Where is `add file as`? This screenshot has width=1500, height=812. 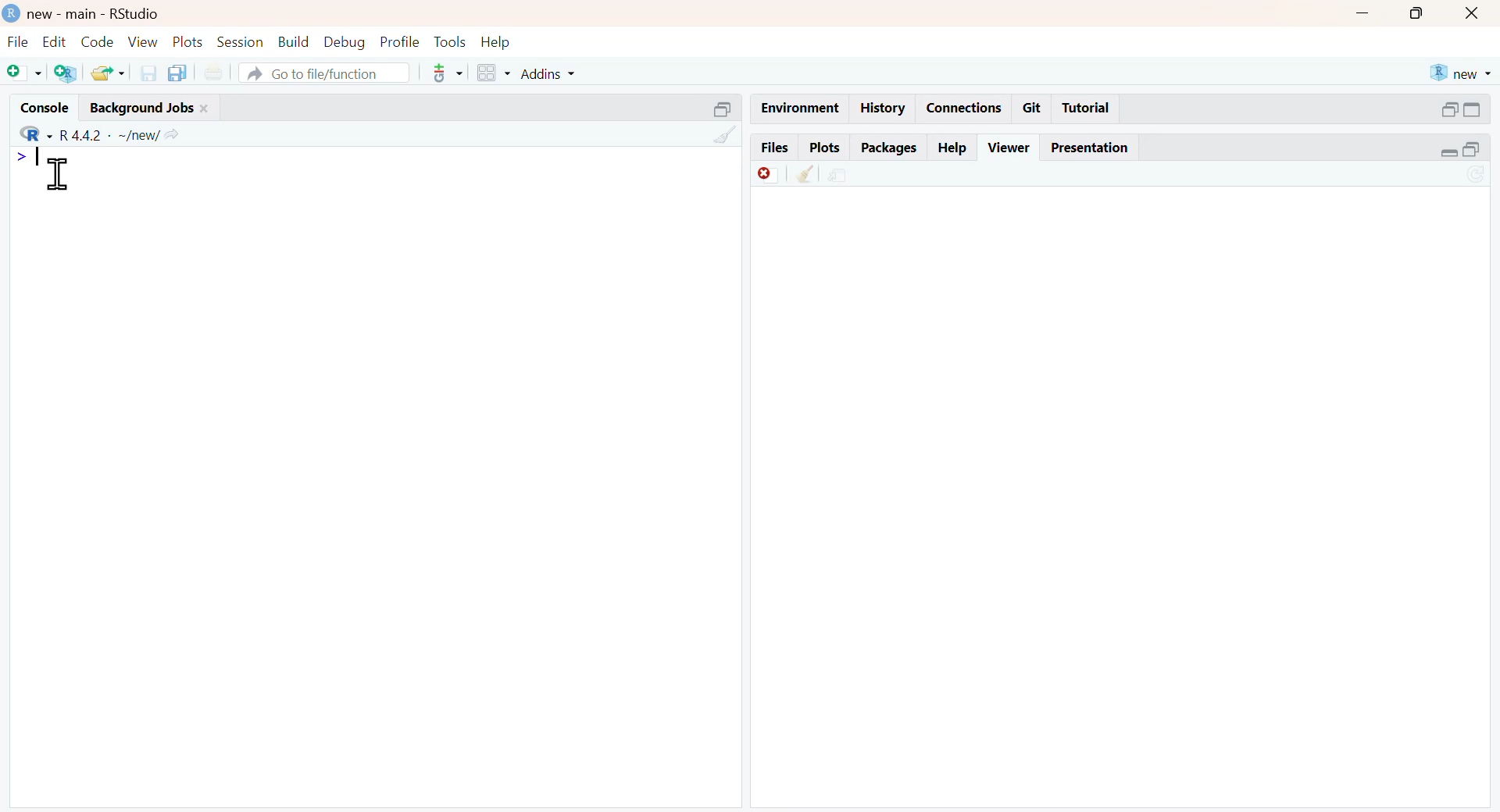 add file as is located at coordinates (27, 73).